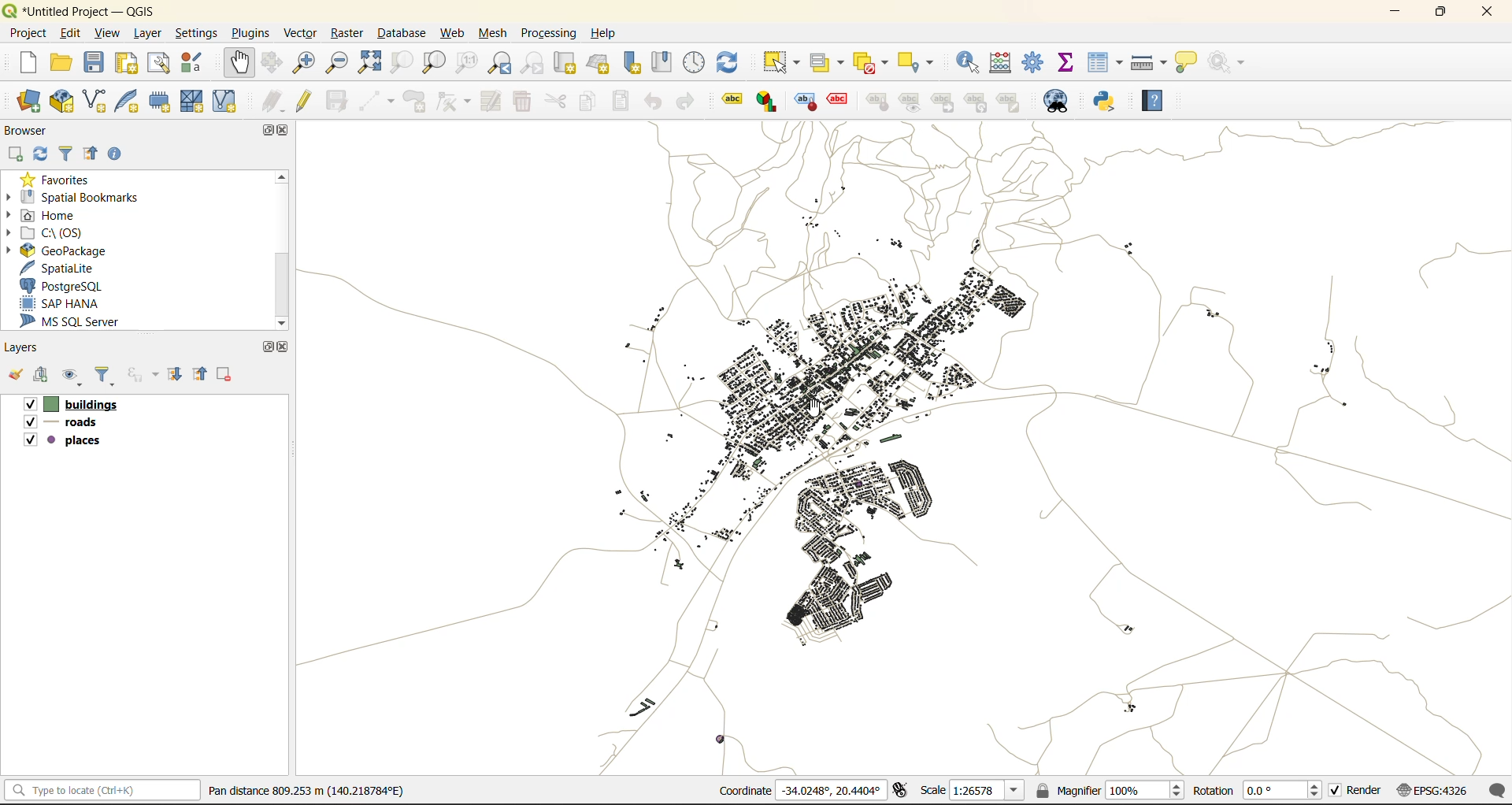 This screenshot has width=1512, height=805. What do you see at coordinates (828, 61) in the screenshot?
I see `select value` at bounding box center [828, 61].